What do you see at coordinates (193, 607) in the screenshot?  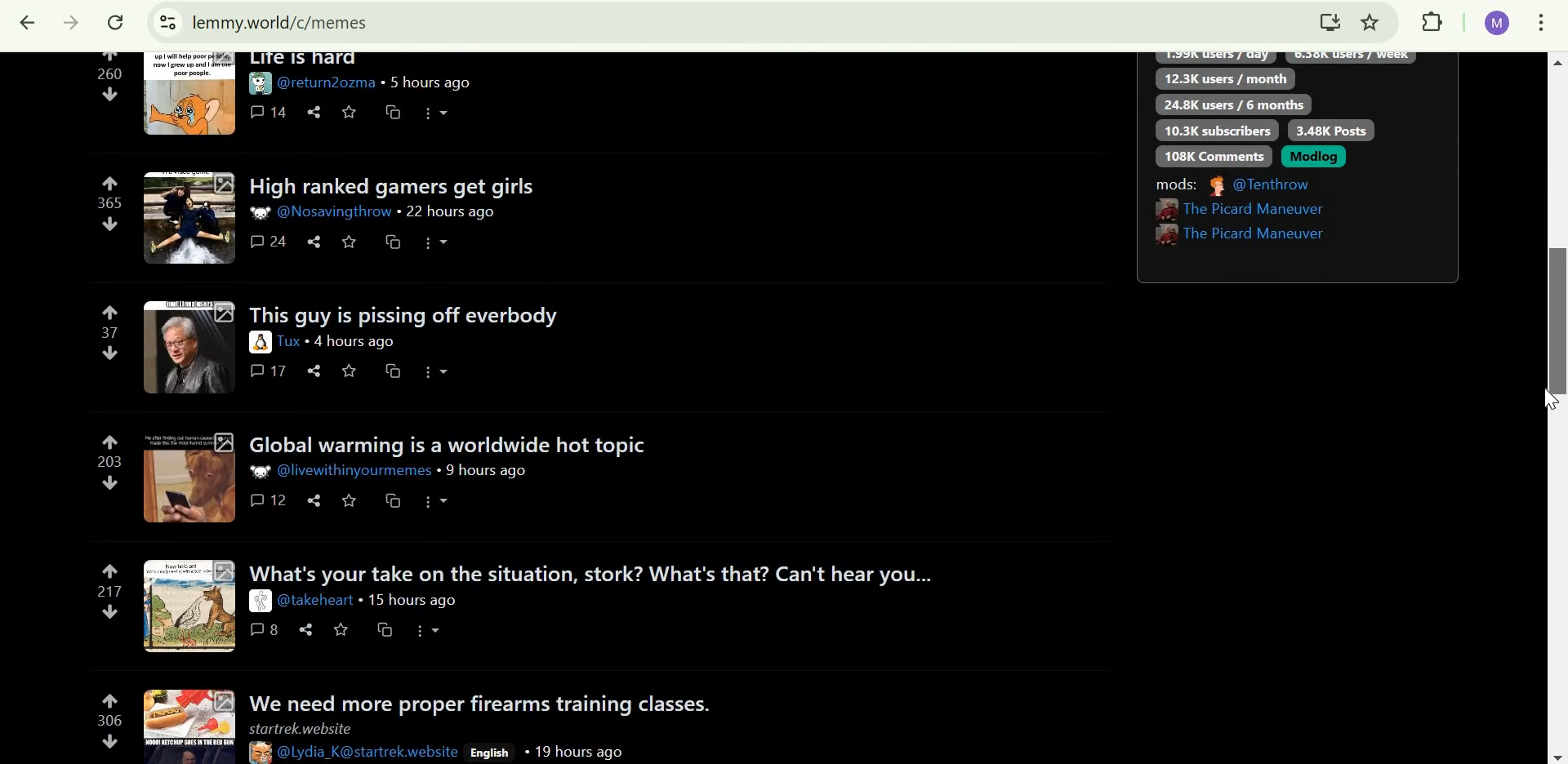 I see `expand here` at bounding box center [193, 607].